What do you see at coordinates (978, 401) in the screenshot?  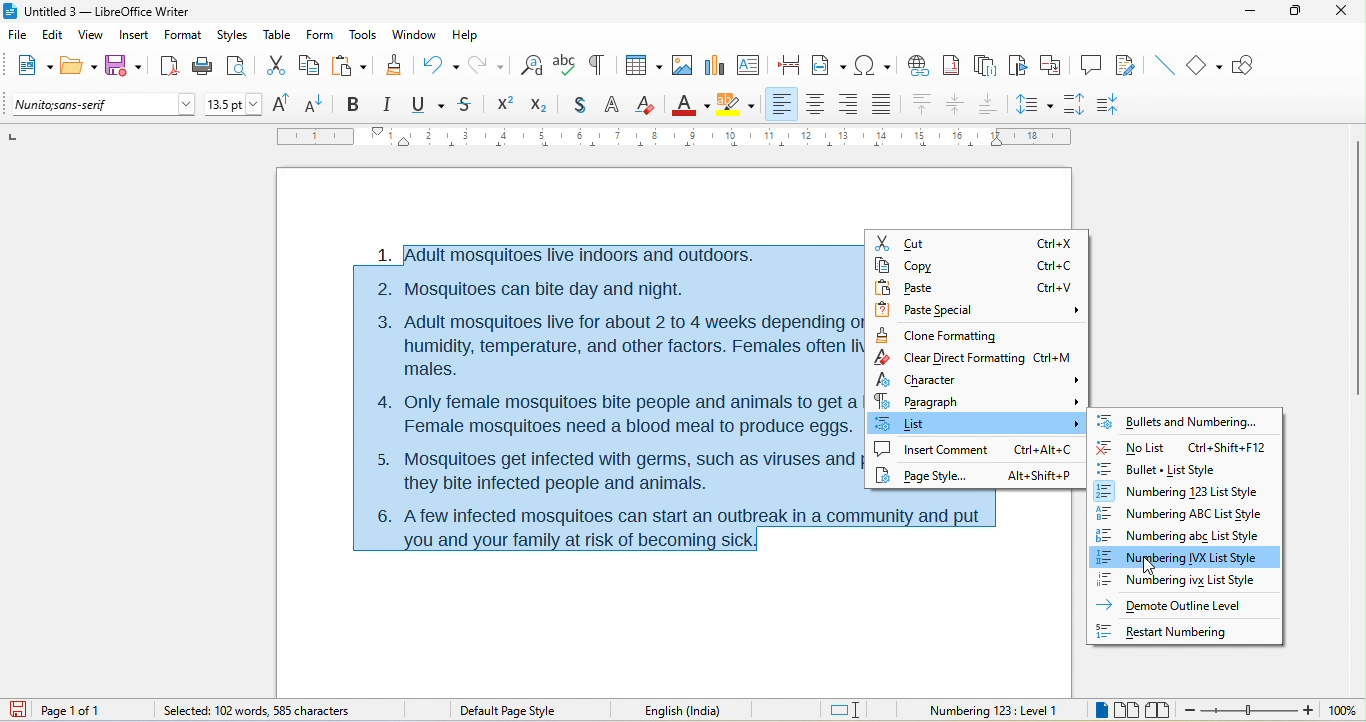 I see `paragraph` at bounding box center [978, 401].